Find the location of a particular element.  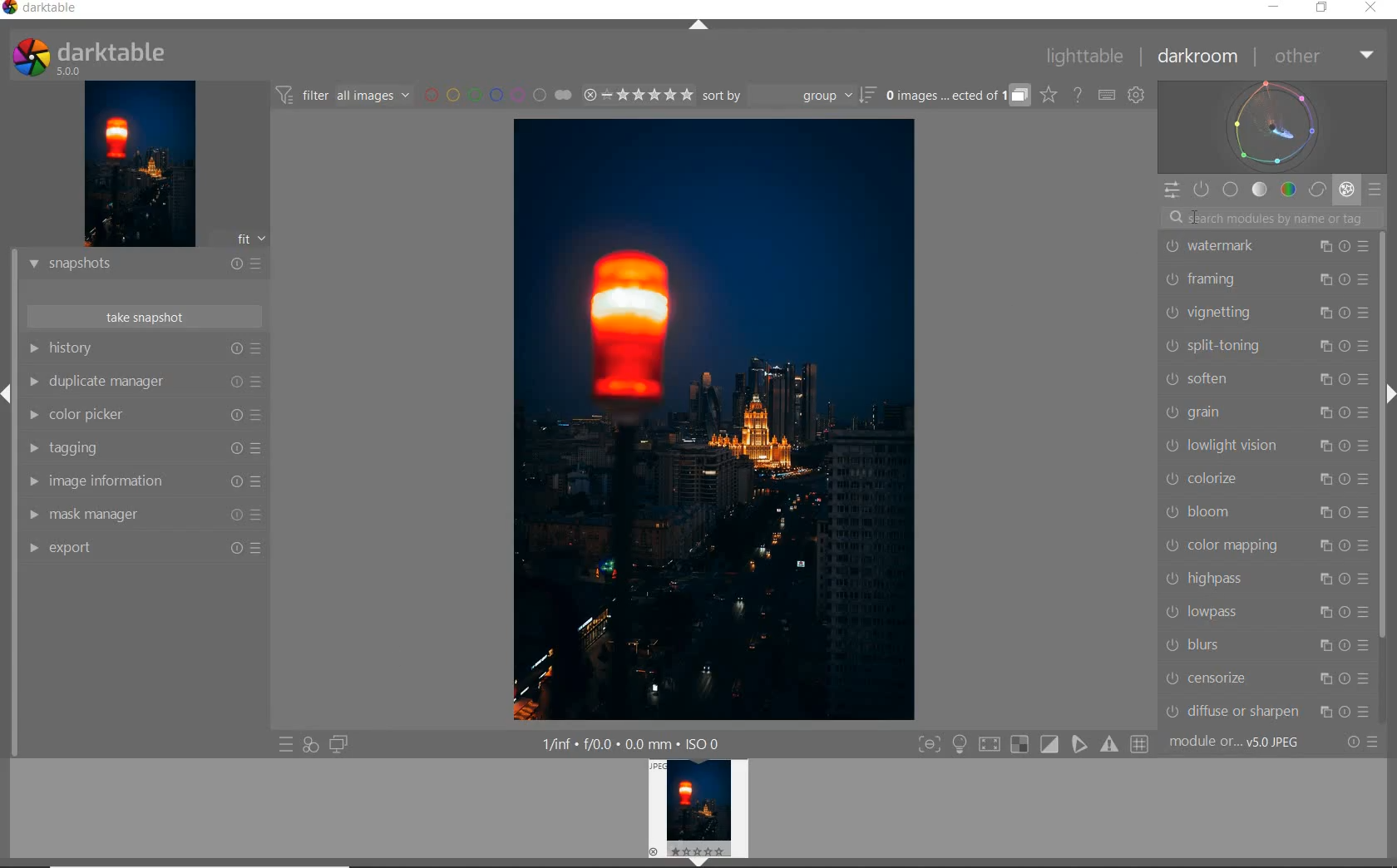

Preset and reset is located at coordinates (259, 382).